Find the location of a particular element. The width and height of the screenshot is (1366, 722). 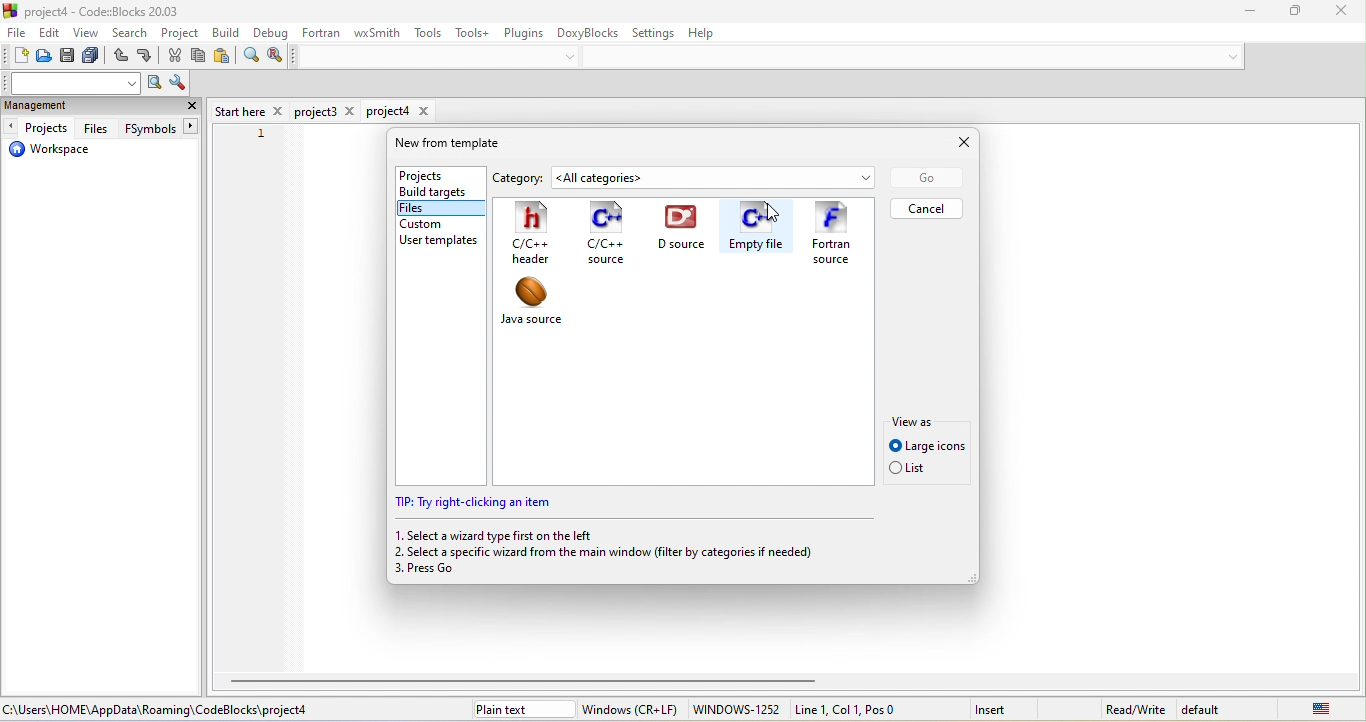

go is located at coordinates (925, 178).